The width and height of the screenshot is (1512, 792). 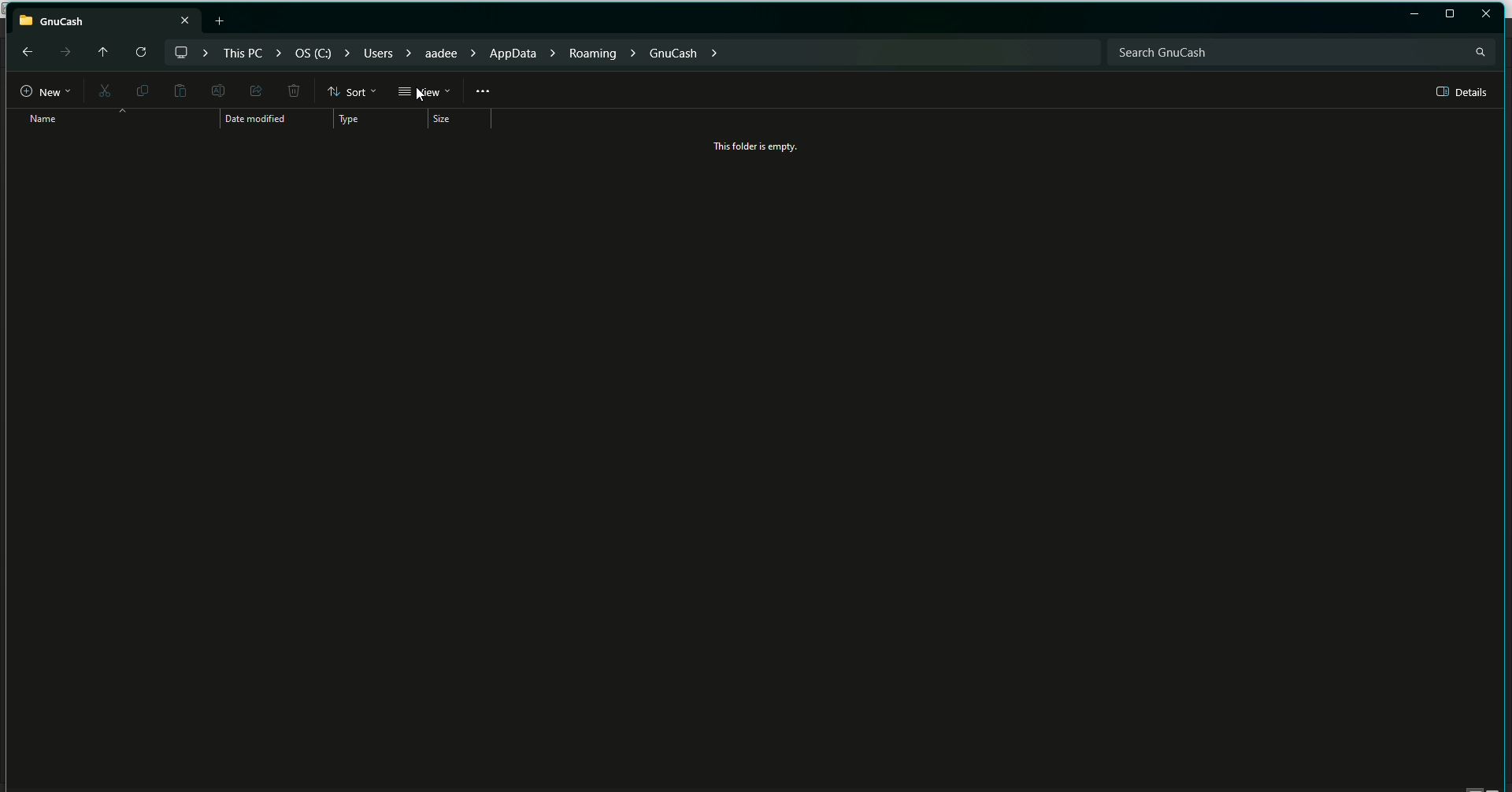 What do you see at coordinates (216, 90) in the screenshot?
I see `Edit` at bounding box center [216, 90].